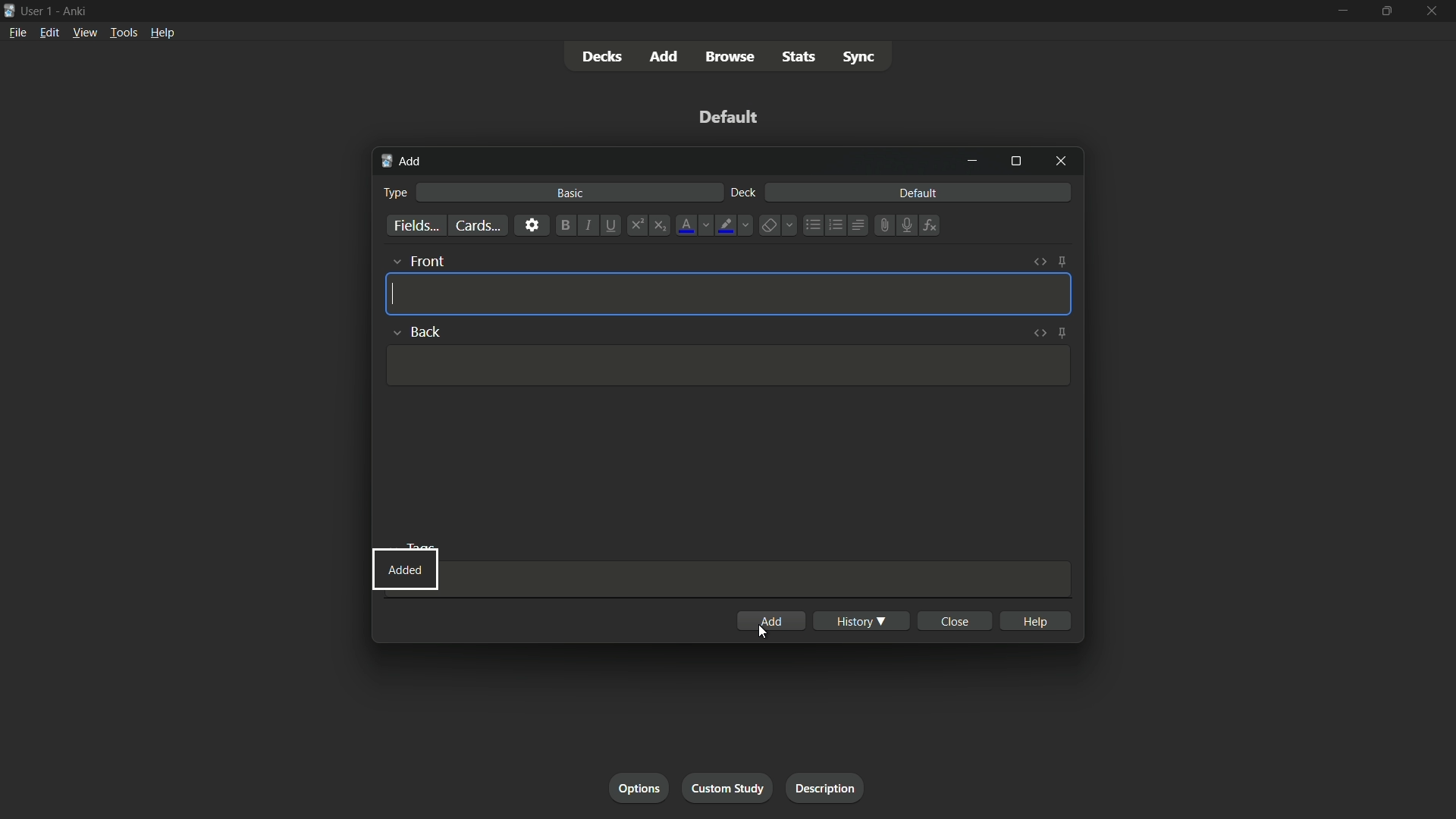 The image size is (1456, 819). What do you see at coordinates (729, 117) in the screenshot?
I see `default` at bounding box center [729, 117].